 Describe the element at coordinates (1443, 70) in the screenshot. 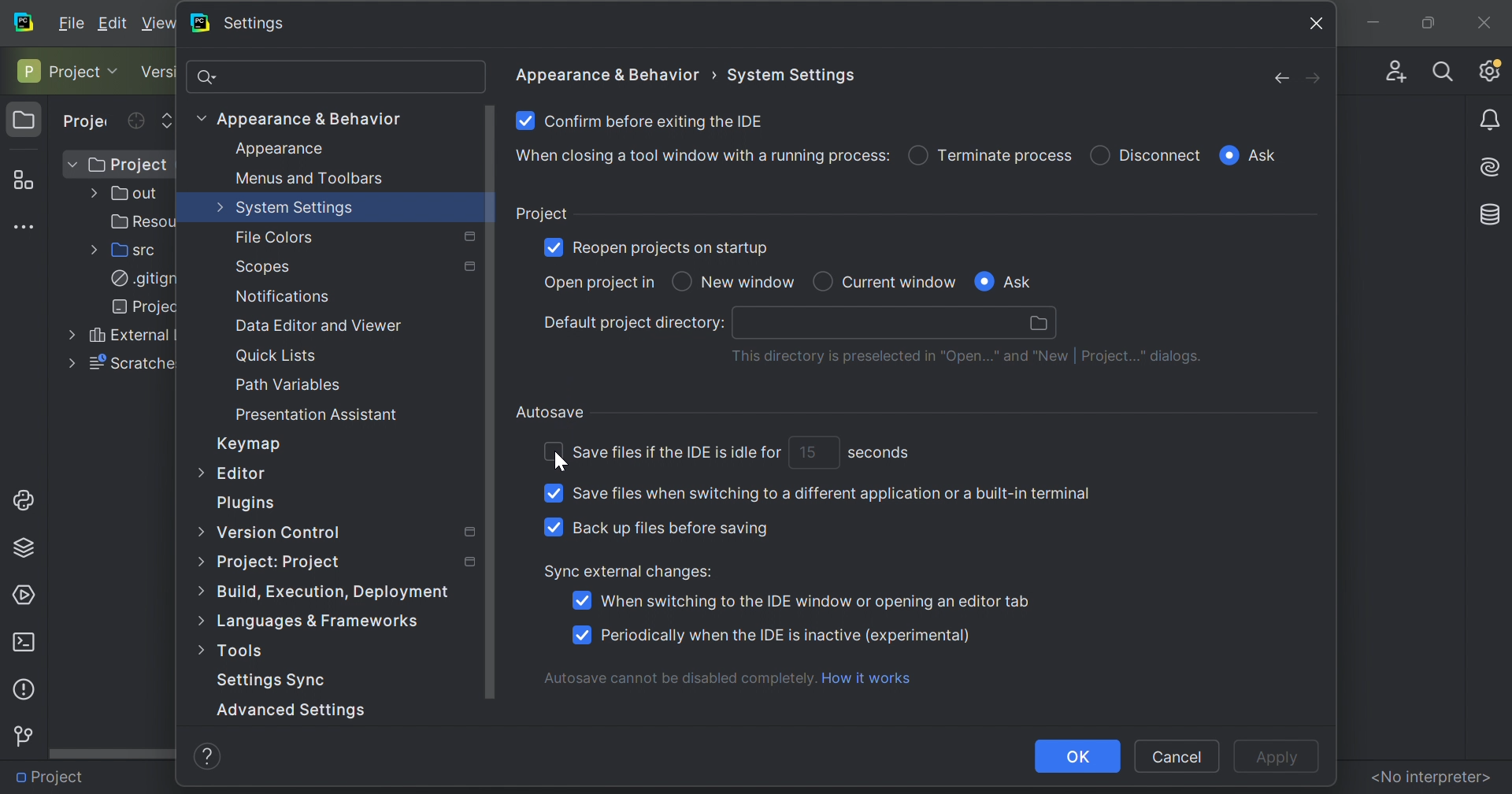

I see `Search Everywhere` at that location.